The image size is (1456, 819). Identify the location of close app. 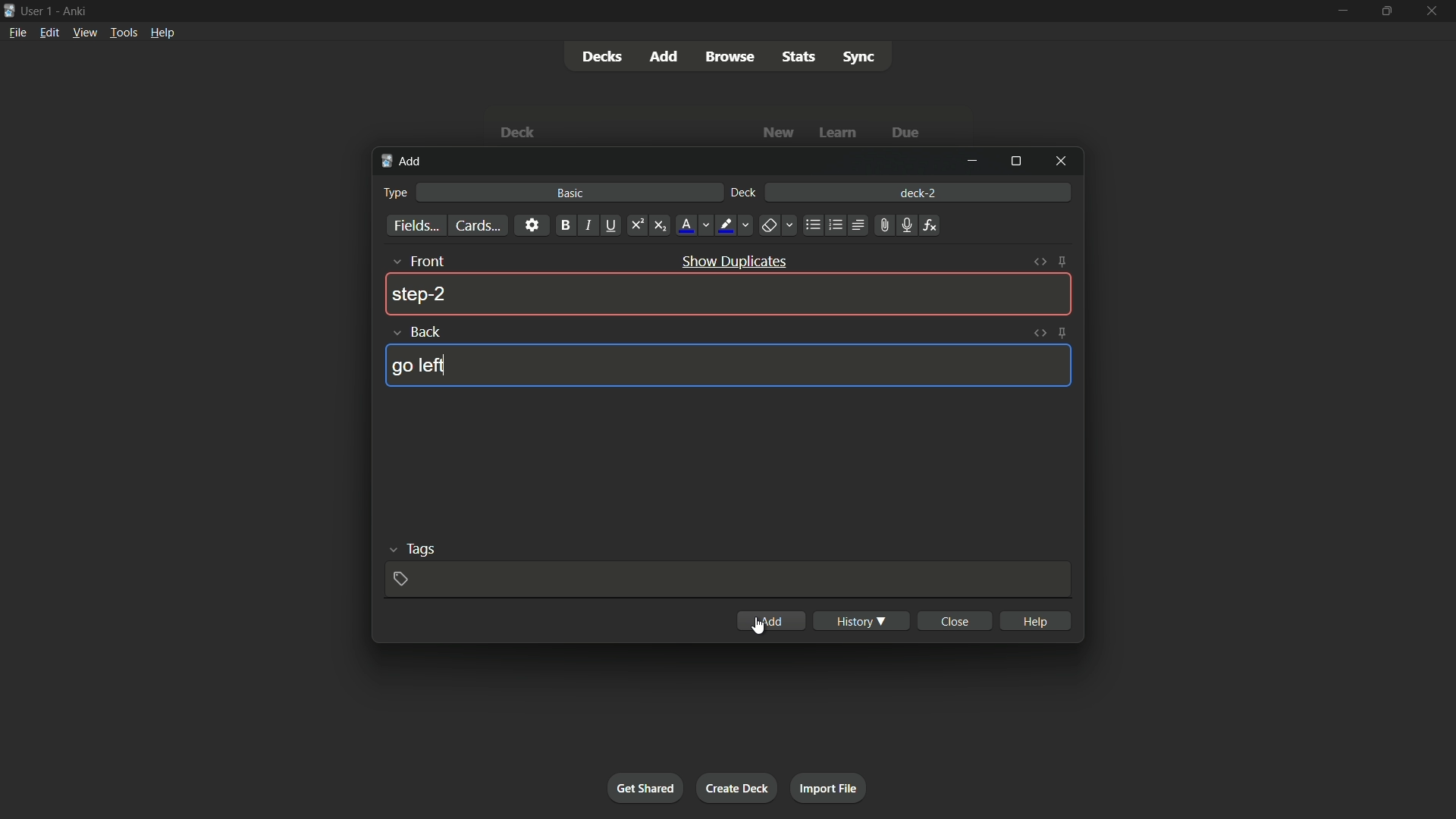
(1432, 11).